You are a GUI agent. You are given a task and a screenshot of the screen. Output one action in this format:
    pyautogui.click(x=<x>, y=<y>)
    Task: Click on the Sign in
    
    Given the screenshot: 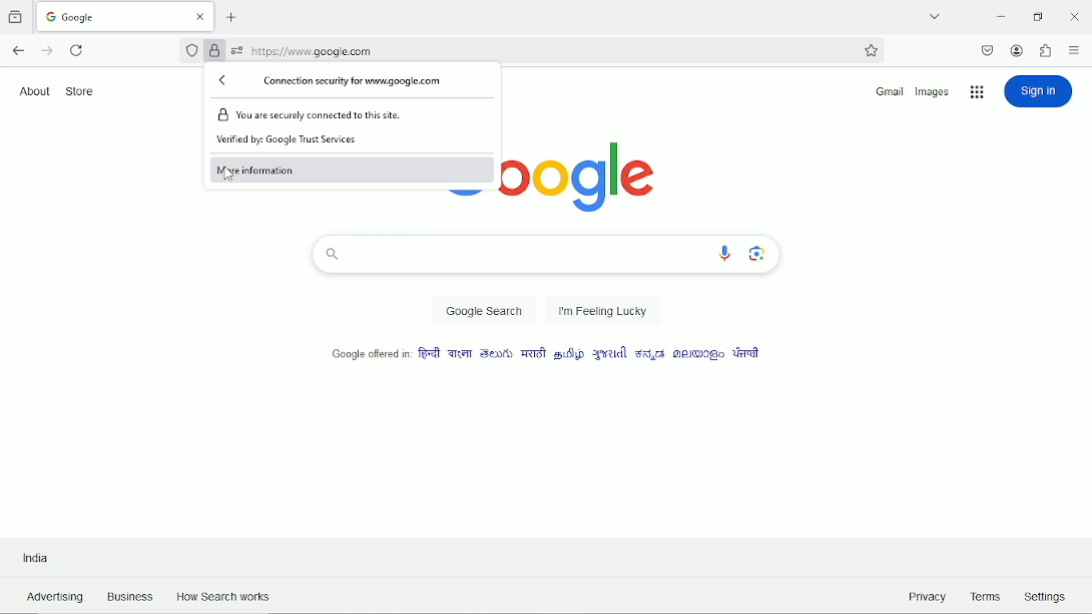 What is the action you would take?
    pyautogui.click(x=1041, y=90)
    